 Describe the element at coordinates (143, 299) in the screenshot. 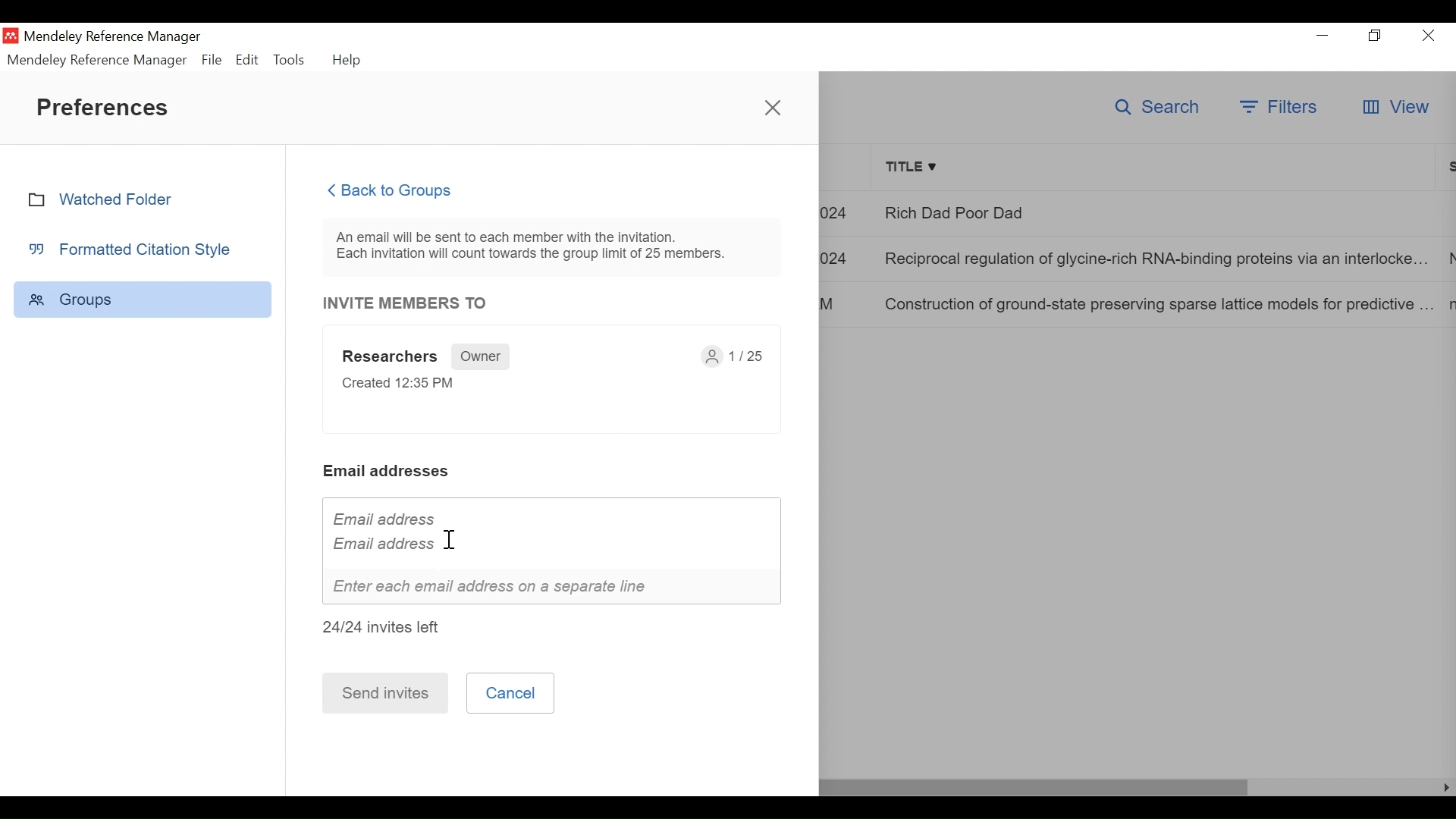

I see `Group` at that location.